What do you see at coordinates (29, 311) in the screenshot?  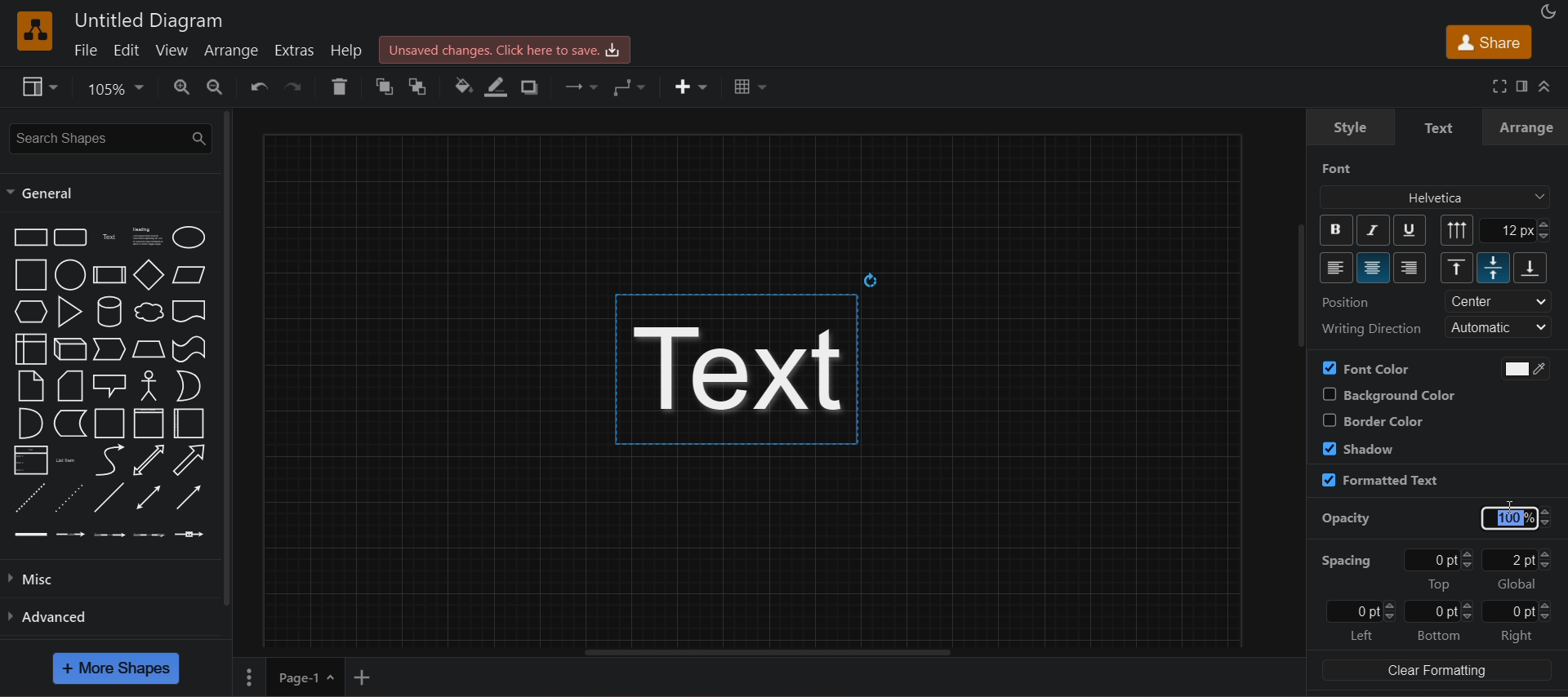 I see `hexagon` at bounding box center [29, 311].